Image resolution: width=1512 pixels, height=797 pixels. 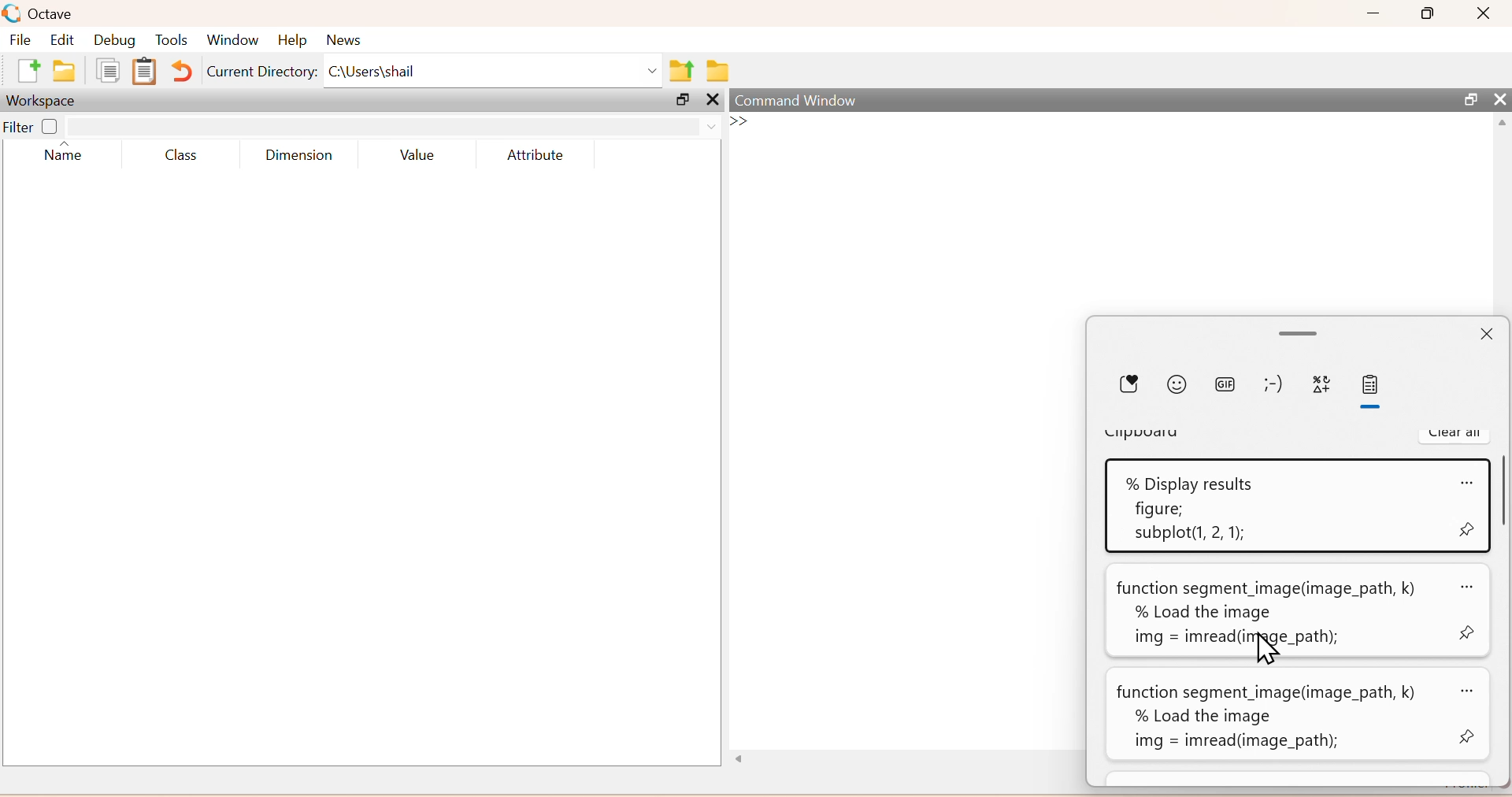 What do you see at coordinates (684, 72) in the screenshot?
I see `one directory up` at bounding box center [684, 72].